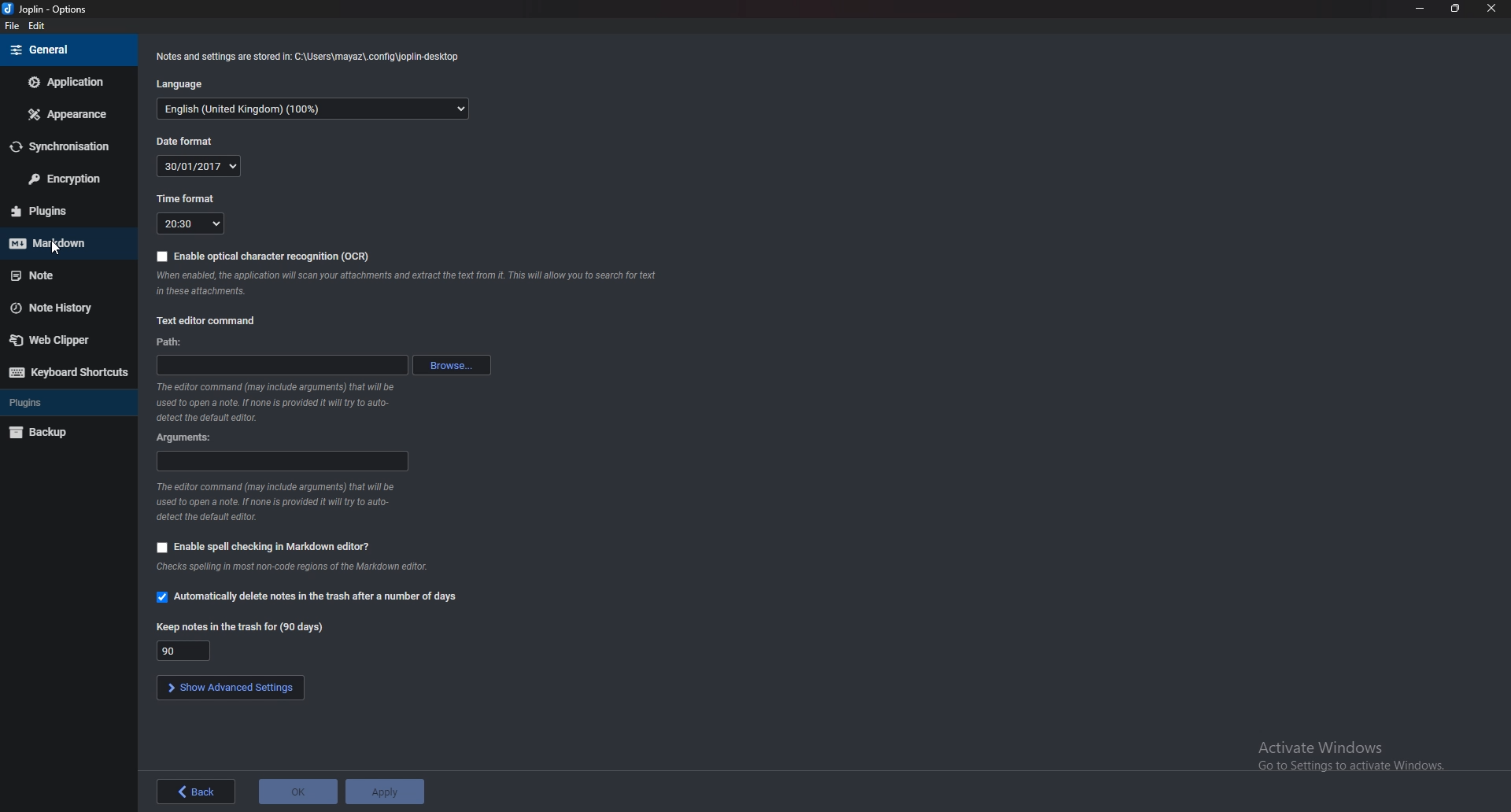  What do you see at coordinates (201, 165) in the screenshot?
I see `30/01/2017 (date)` at bounding box center [201, 165].